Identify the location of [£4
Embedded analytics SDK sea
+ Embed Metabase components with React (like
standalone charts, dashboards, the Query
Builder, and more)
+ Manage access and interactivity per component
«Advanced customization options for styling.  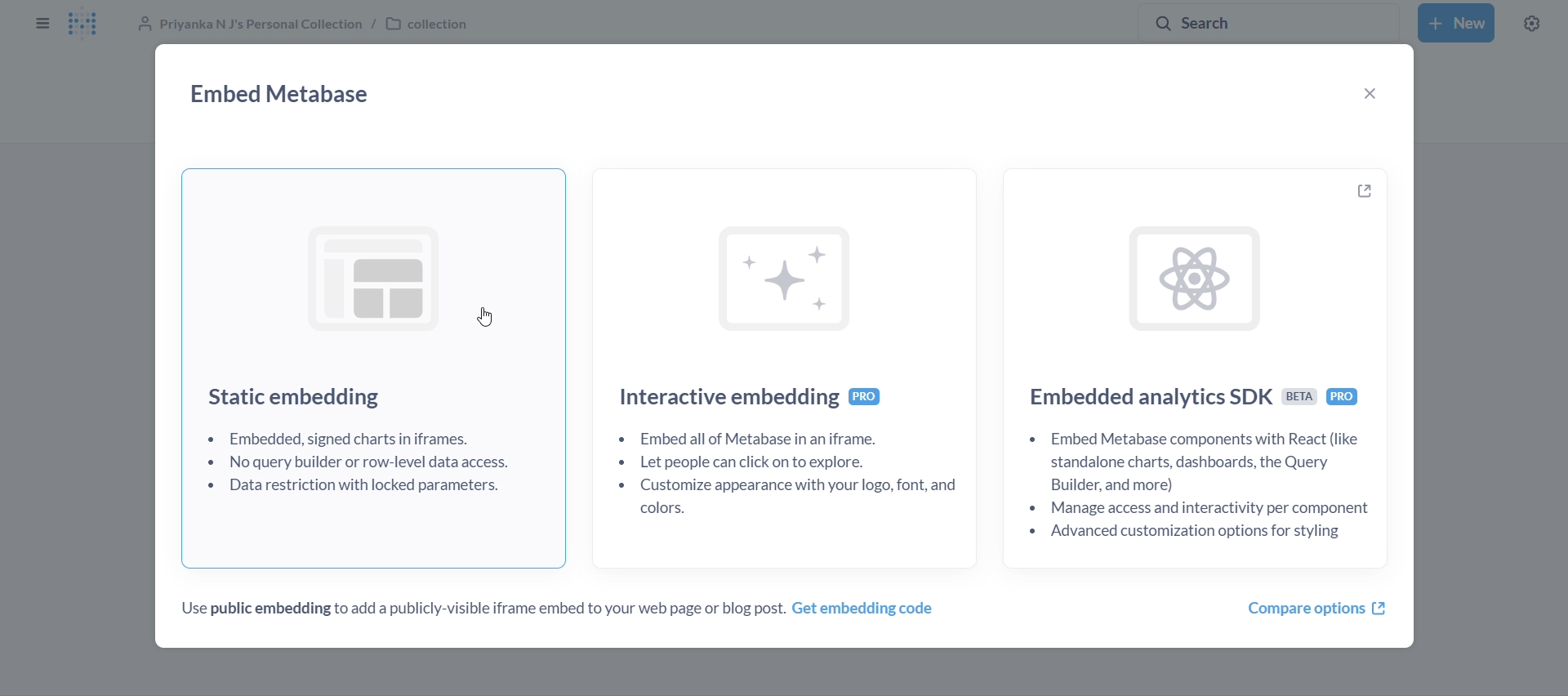
(1200, 365).